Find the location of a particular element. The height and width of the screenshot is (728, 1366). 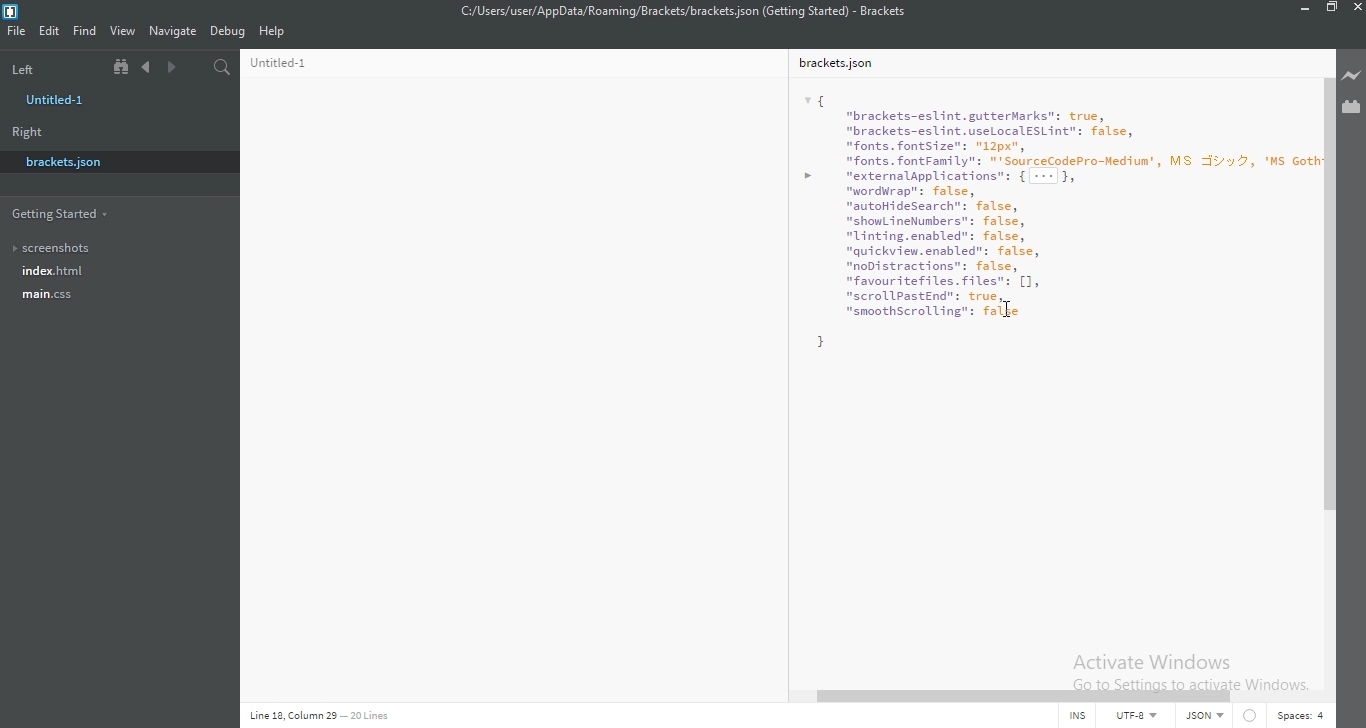

Next document is located at coordinates (172, 69).